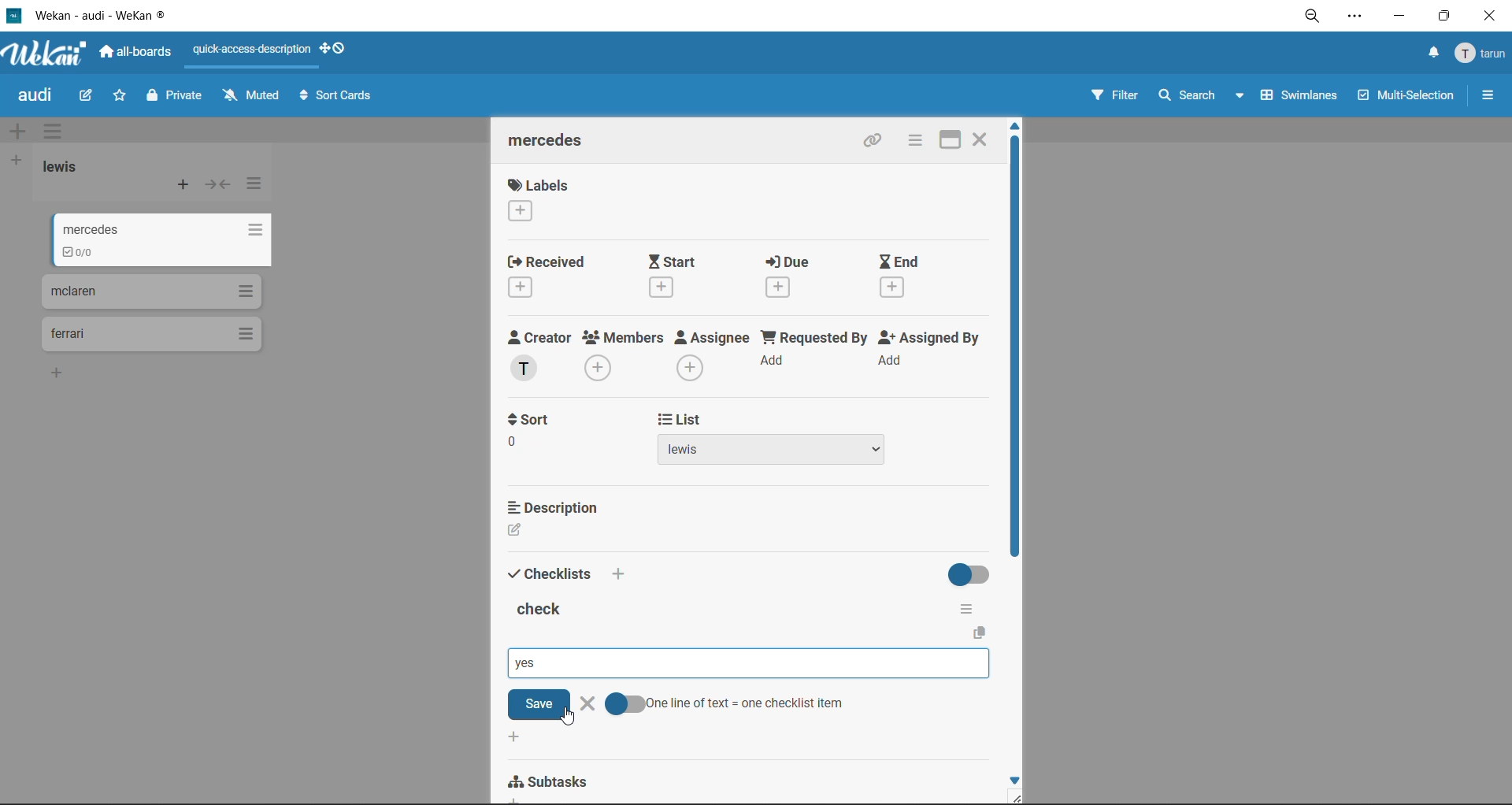 This screenshot has height=805, width=1512. Describe the element at coordinates (972, 573) in the screenshot. I see `hide completed checklist` at that location.